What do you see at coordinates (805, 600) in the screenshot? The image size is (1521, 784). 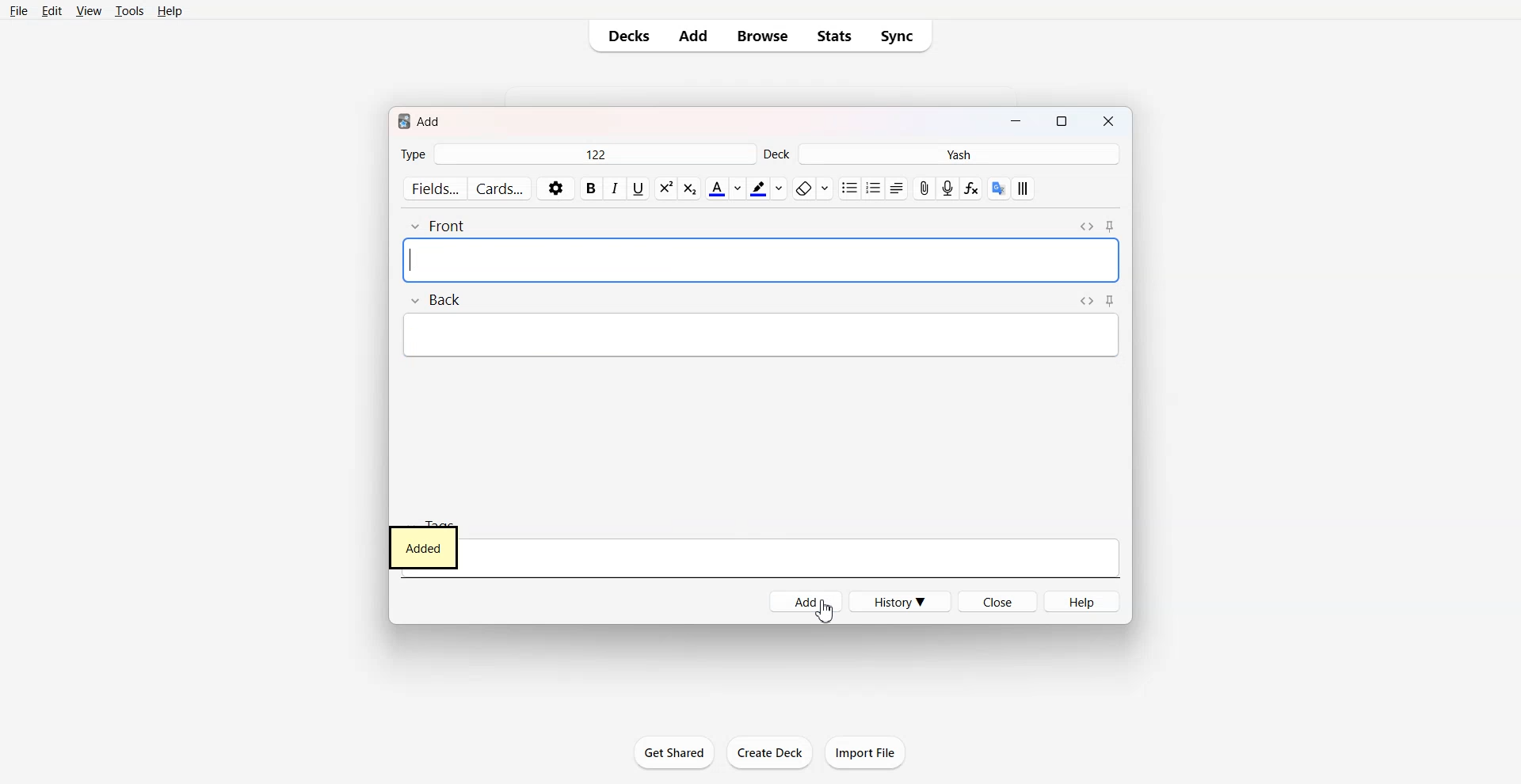 I see `Add` at bounding box center [805, 600].